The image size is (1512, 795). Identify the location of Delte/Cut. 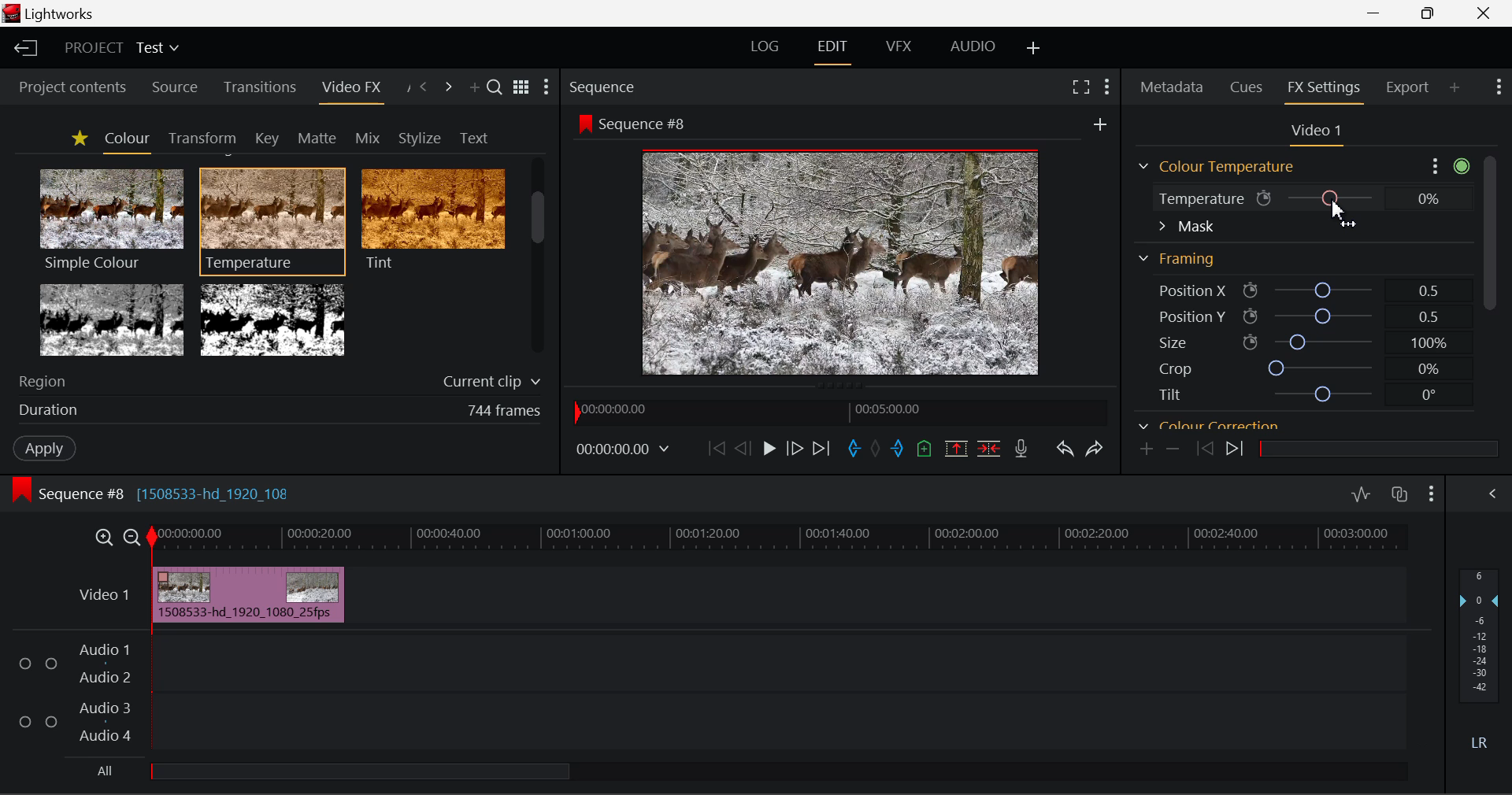
(991, 449).